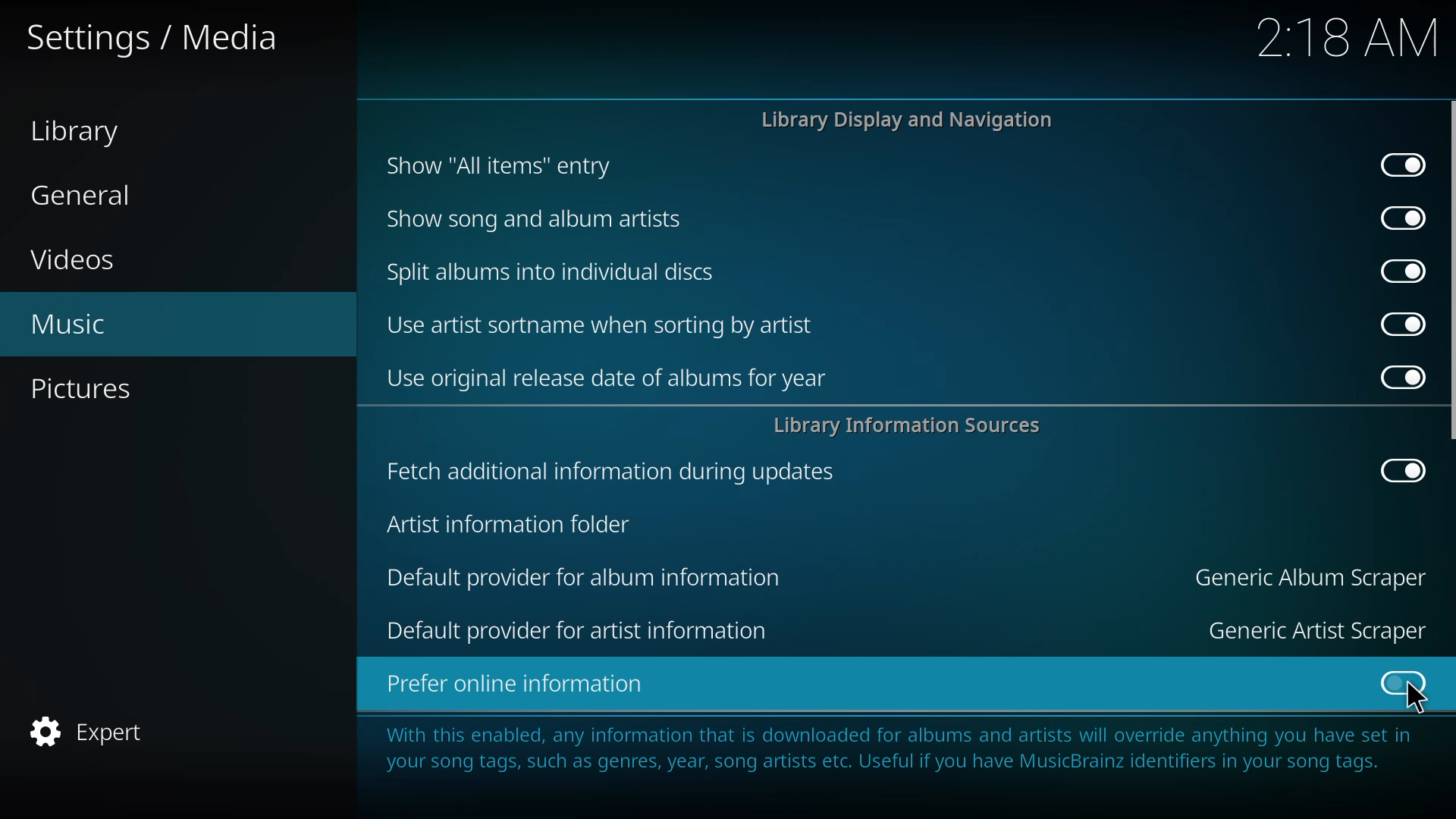 This screenshot has width=1456, height=819. I want to click on settings media, so click(158, 39).